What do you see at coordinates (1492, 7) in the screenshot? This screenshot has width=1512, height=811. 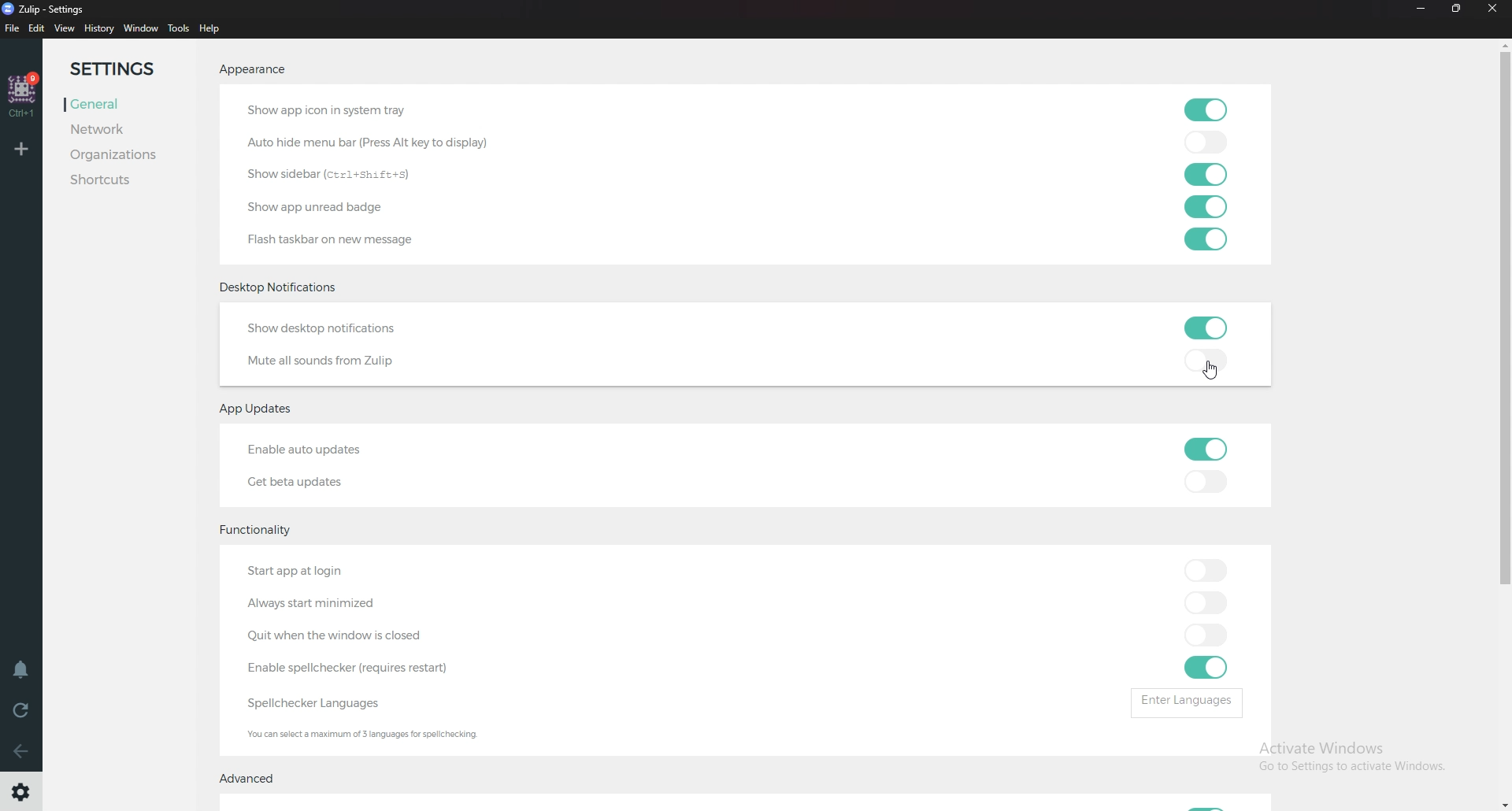 I see `close` at bounding box center [1492, 7].